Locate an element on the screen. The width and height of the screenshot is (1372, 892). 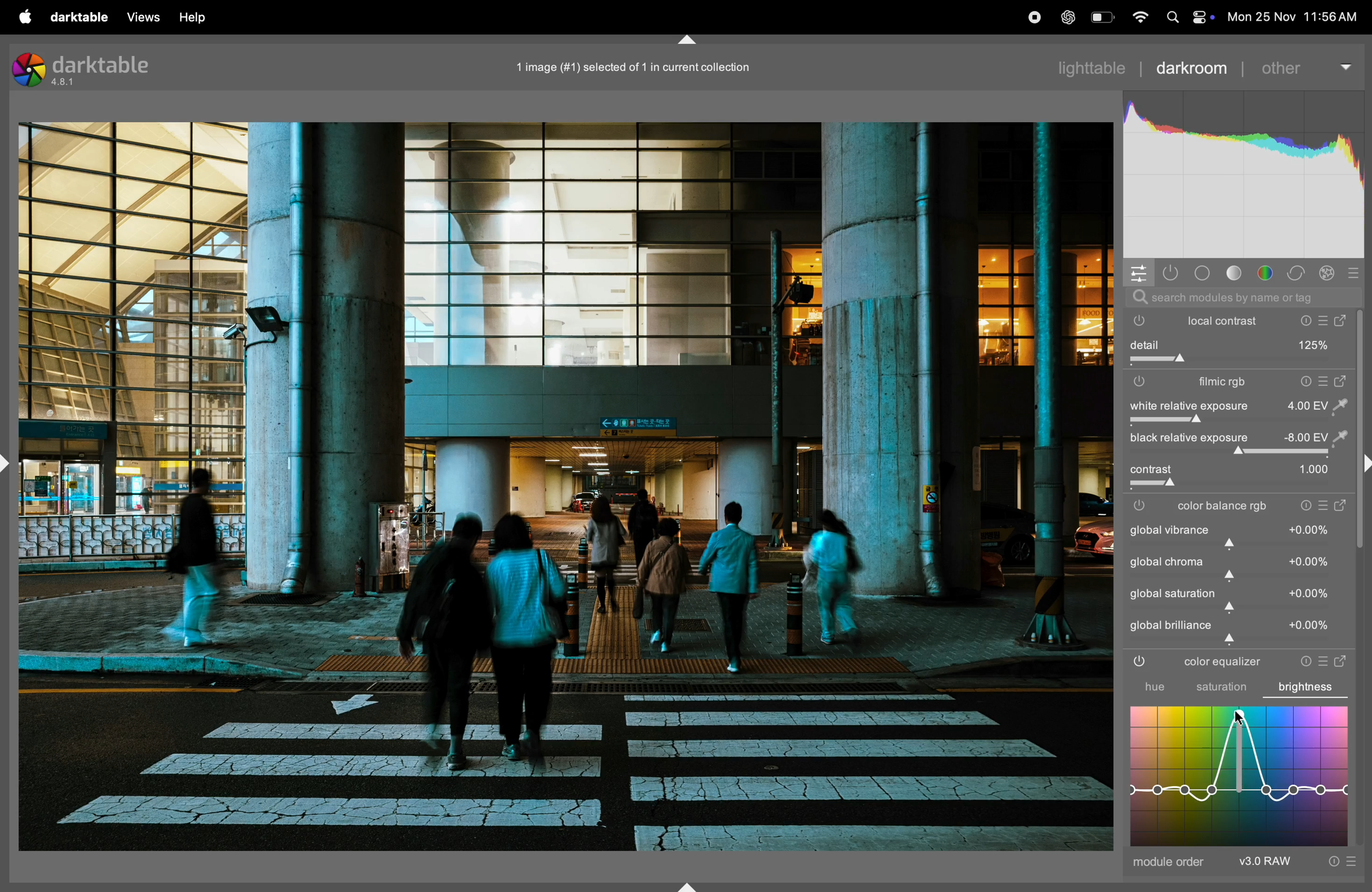
toggle  is located at coordinates (1234, 360).